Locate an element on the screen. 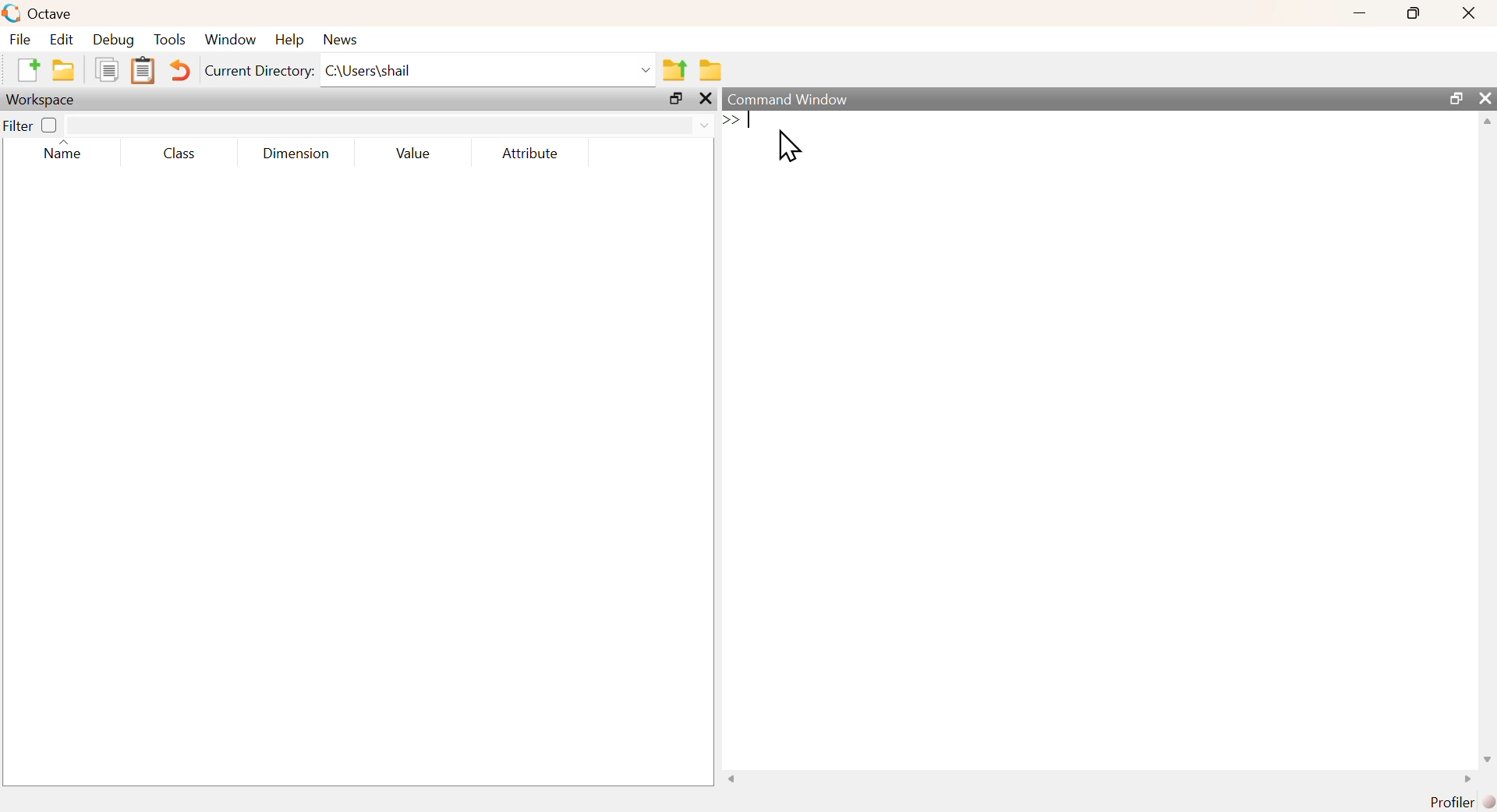 Image resolution: width=1497 pixels, height=812 pixels. Undo is located at coordinates (180, 70).